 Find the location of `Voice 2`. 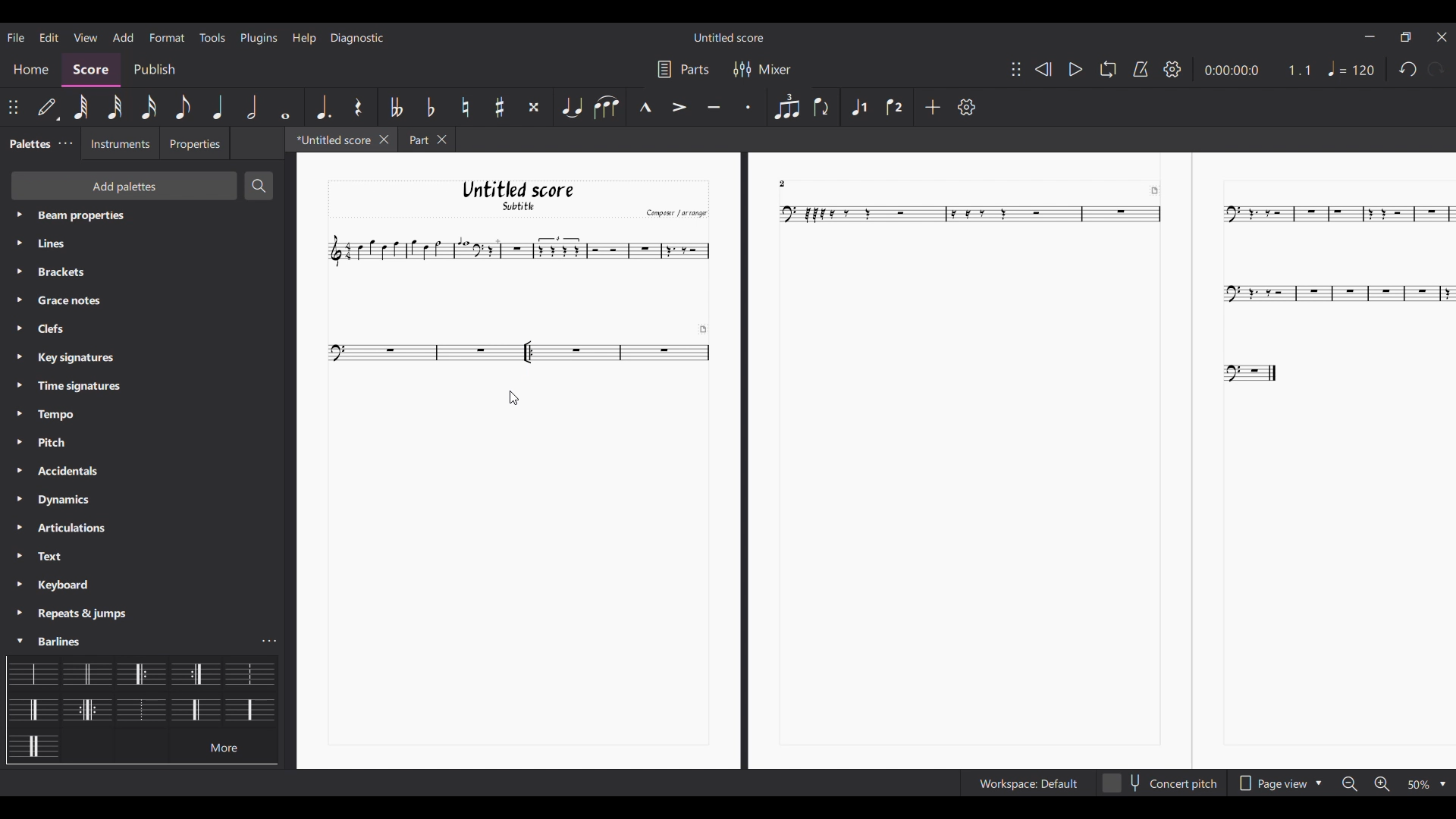

Voice 2 is located at coordinates (894, 107).